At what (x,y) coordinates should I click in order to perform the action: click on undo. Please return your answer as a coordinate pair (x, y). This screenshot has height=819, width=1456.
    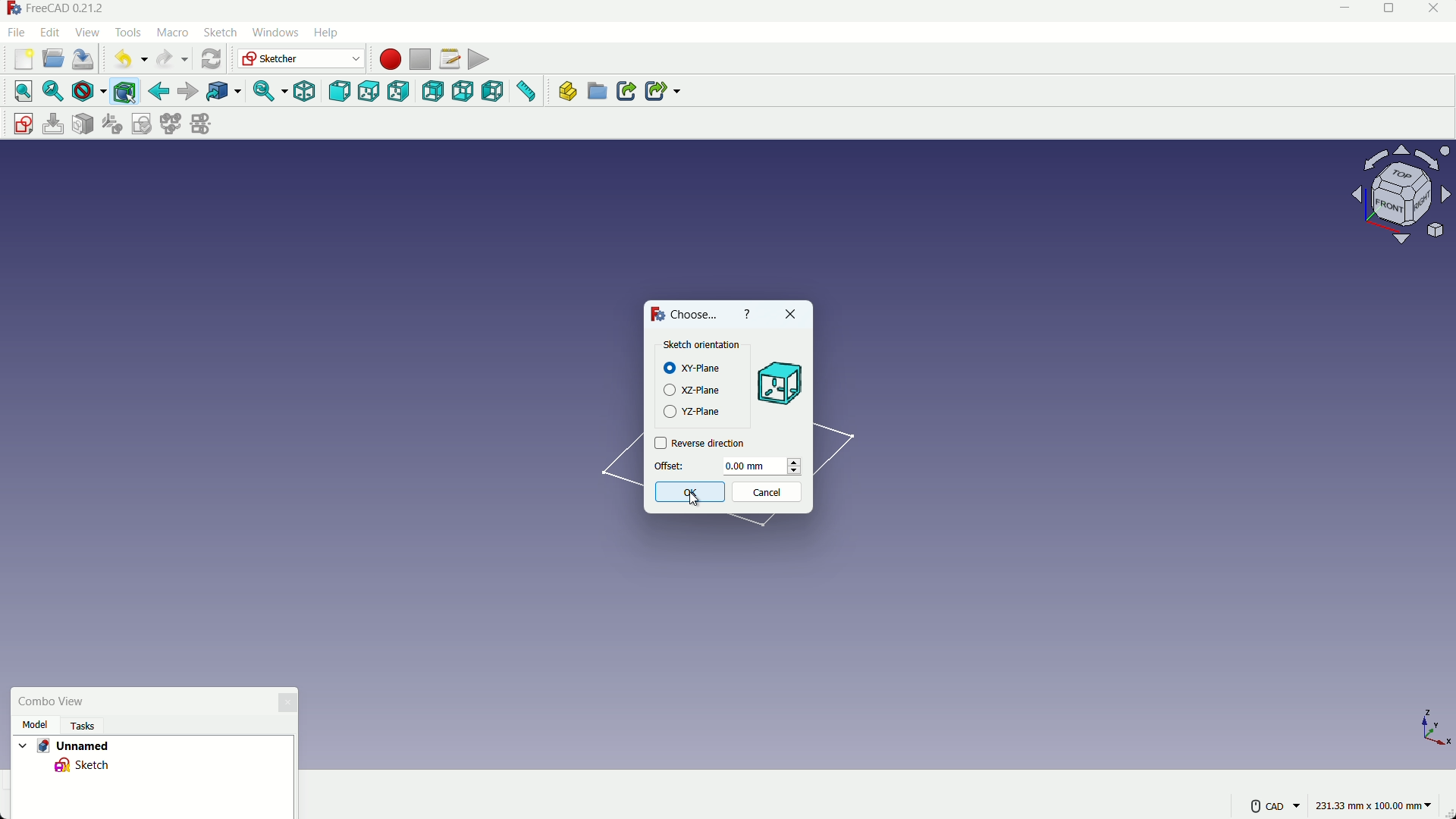
    Looking at the image, I should click on (127, 58).